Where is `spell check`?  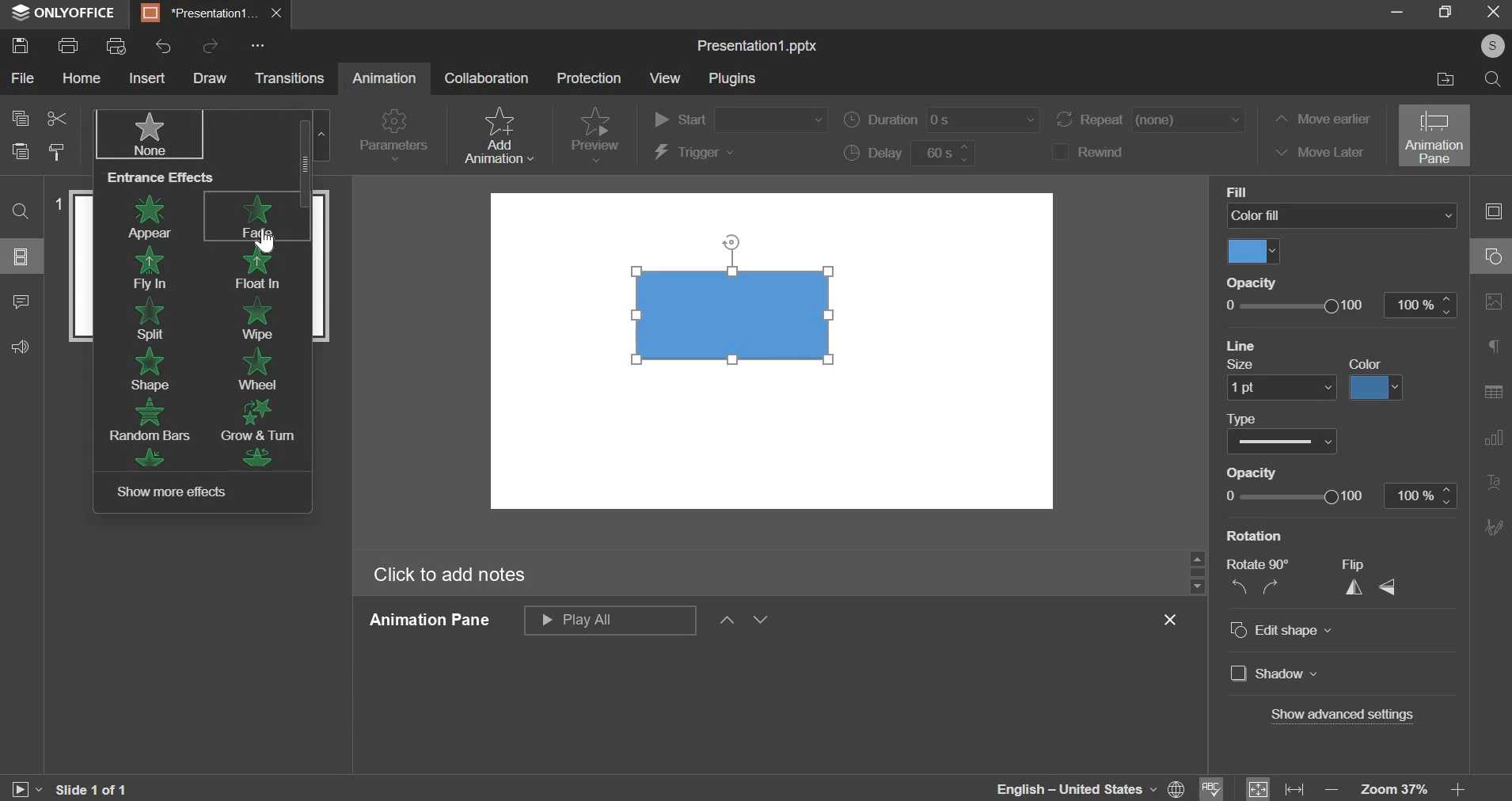 spell check is located at coordinates (1217, 786).